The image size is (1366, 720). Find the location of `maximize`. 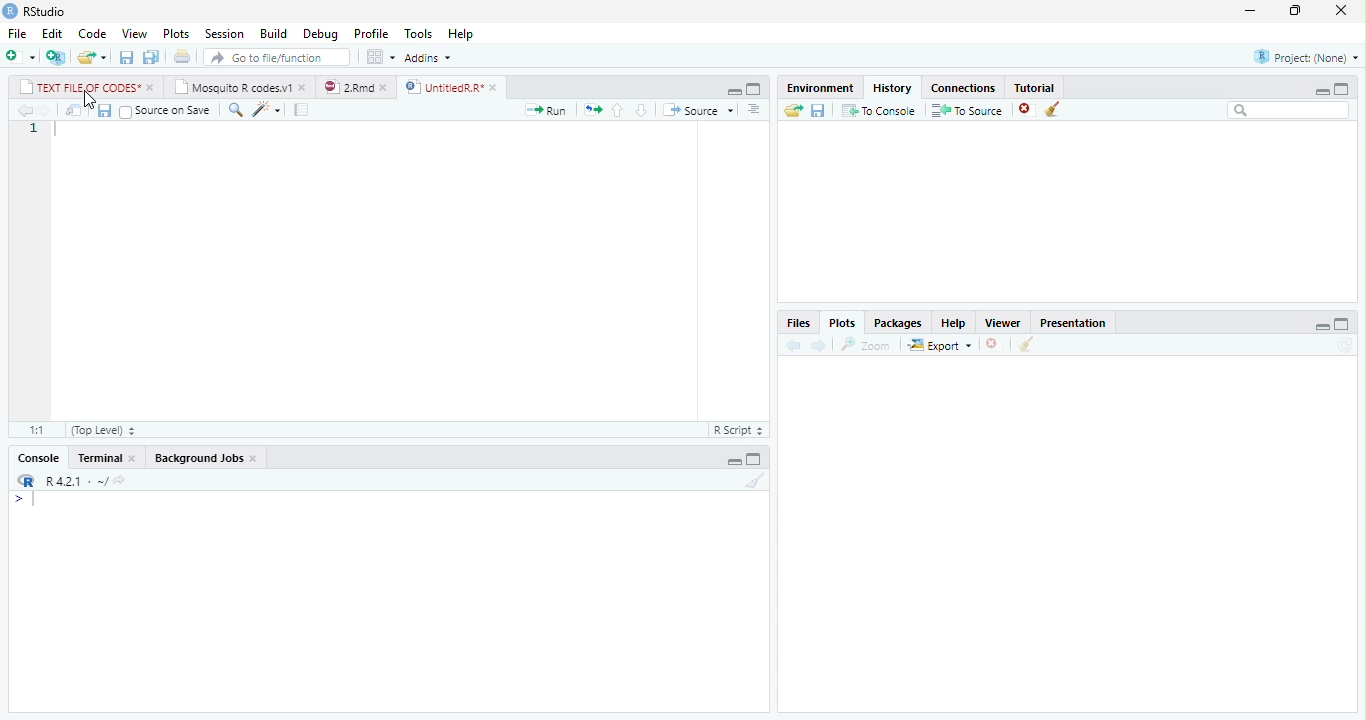

maximize is located at coordinates (1342, 89).